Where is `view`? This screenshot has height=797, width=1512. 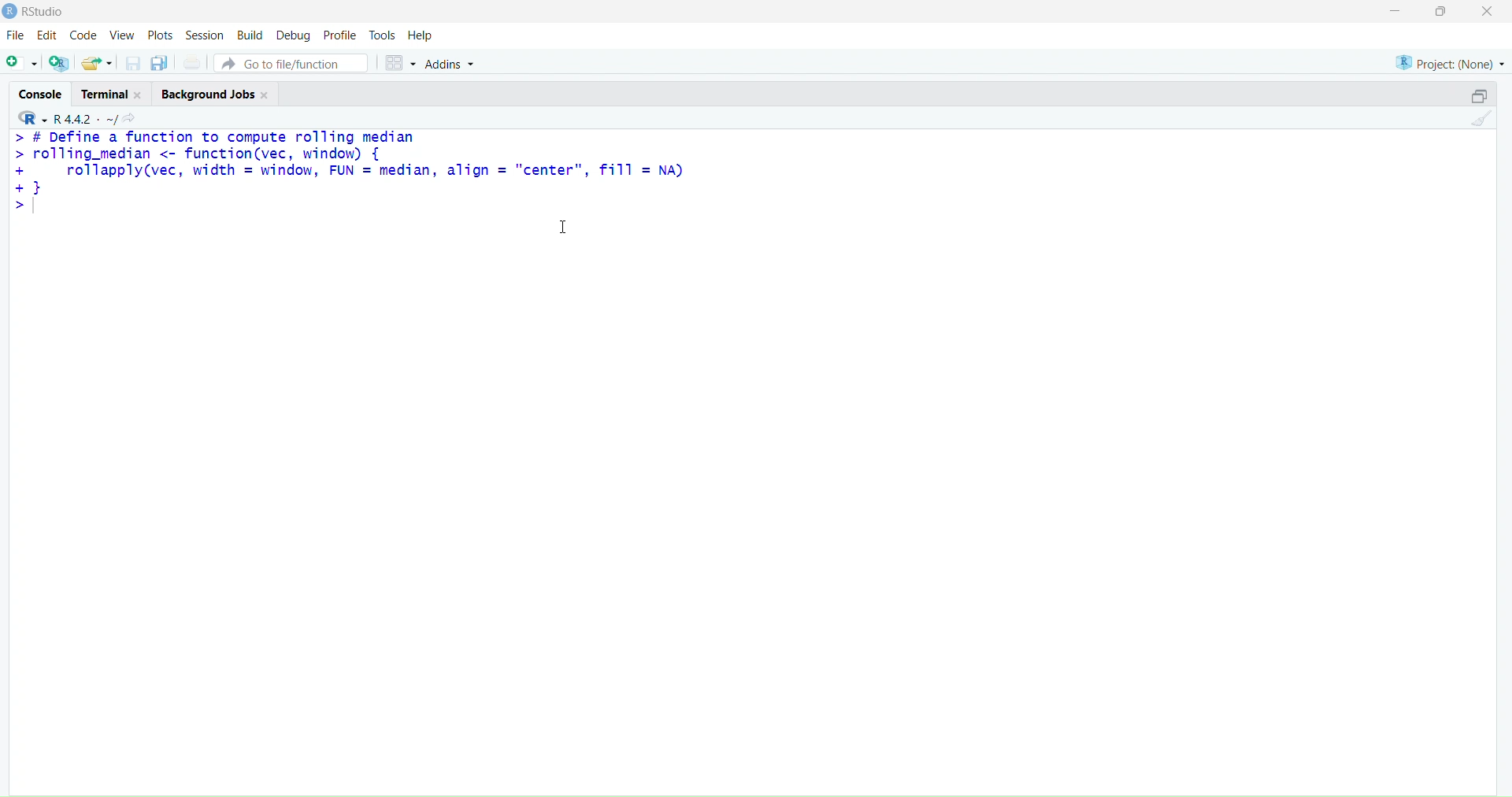
view is located at coordinates (122, 36).